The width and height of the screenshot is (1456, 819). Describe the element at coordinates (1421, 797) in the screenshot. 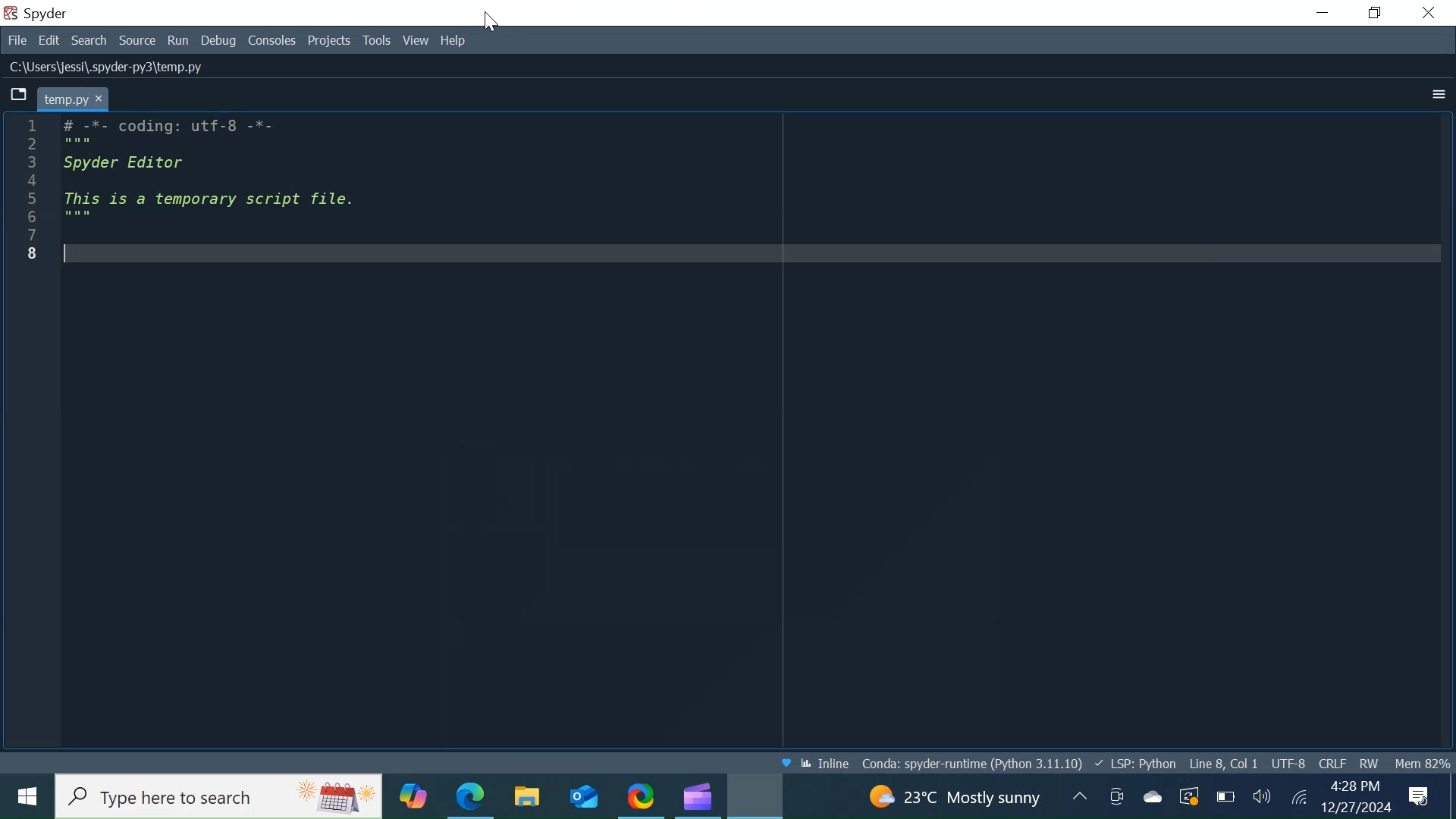

I see `Notification` at that location.